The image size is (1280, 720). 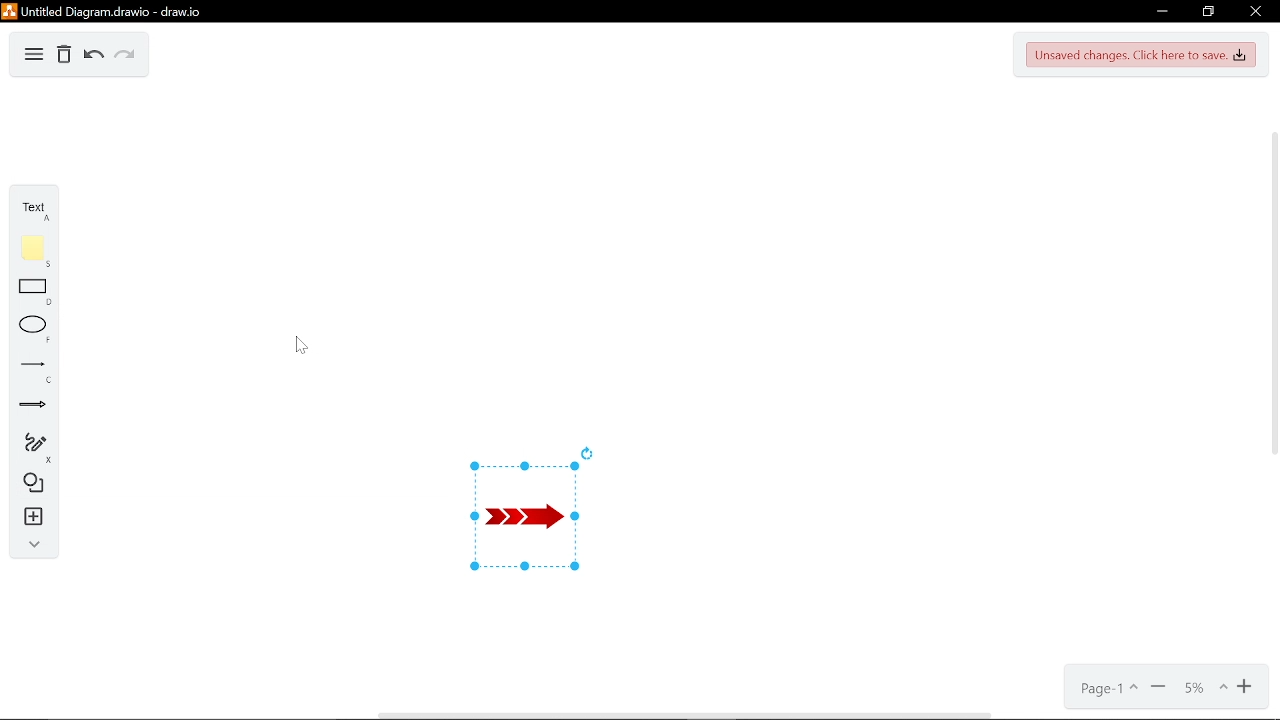 What do you see at coordinates (118, 11) in the screenshot?
I see `Current window` at bounding box center [118, 11].